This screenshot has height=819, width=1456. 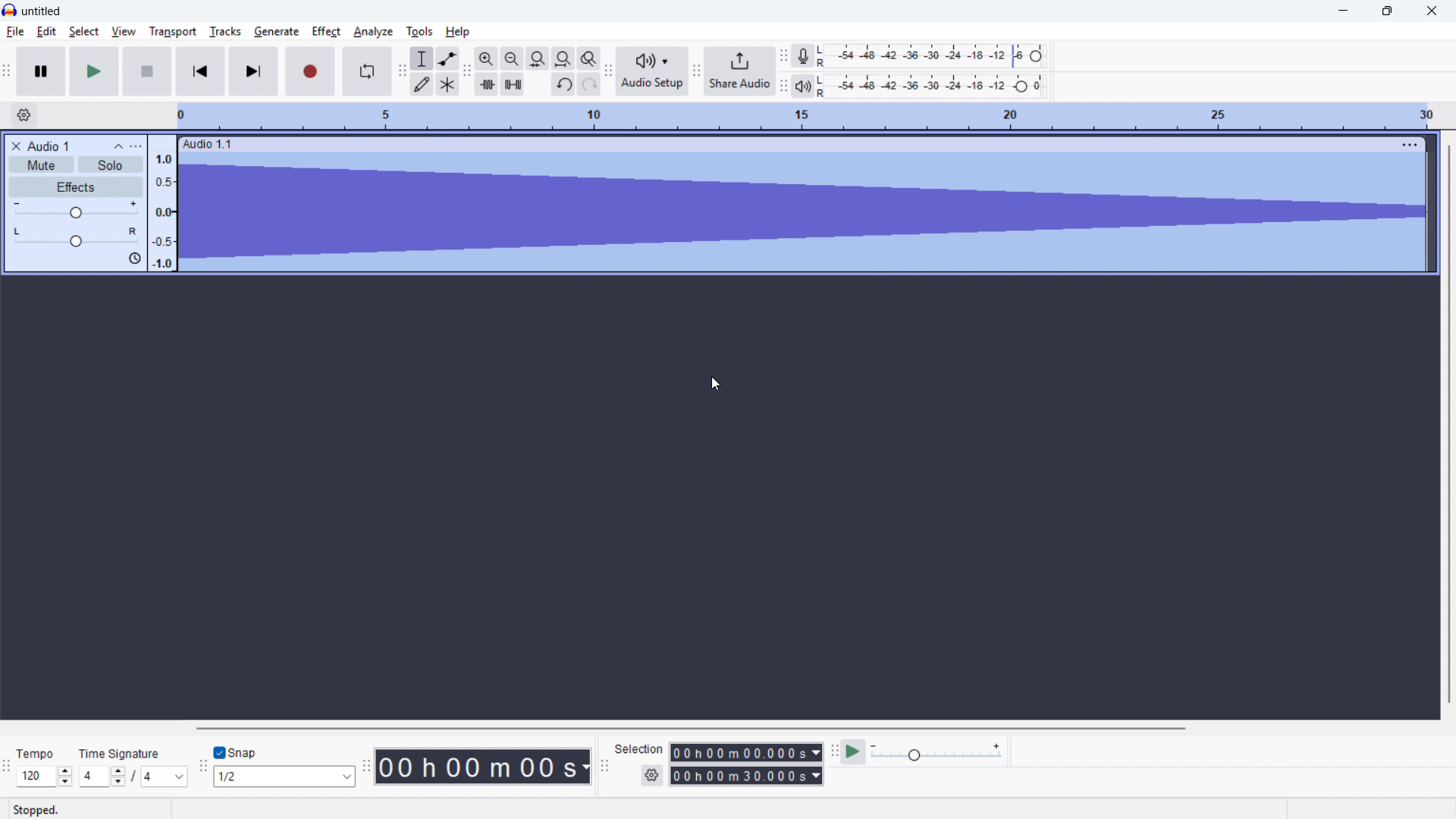 I want to click on Multi - tool, so click(x=448, y=84).